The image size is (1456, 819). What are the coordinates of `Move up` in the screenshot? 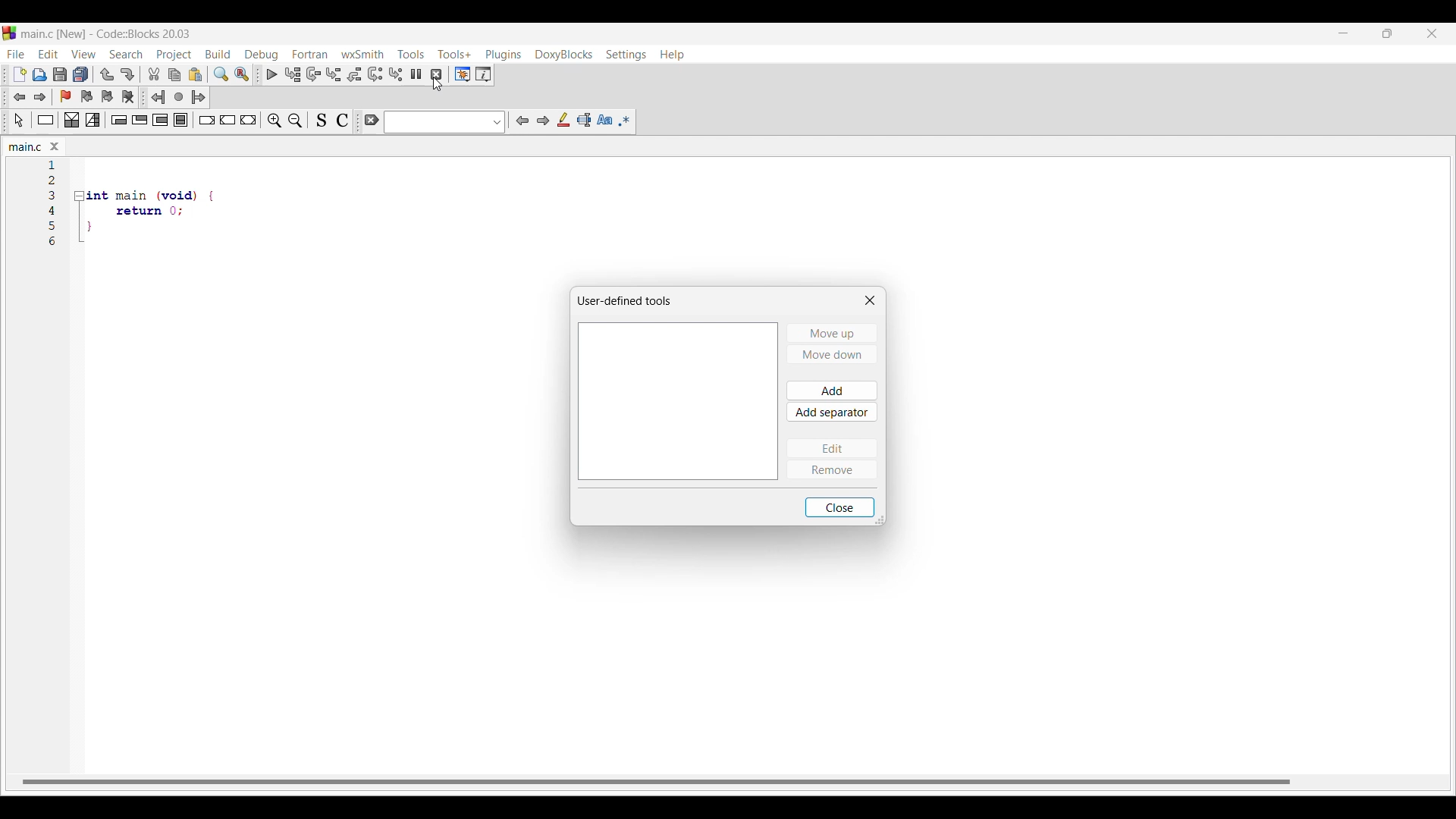 It's located at (831, 333).